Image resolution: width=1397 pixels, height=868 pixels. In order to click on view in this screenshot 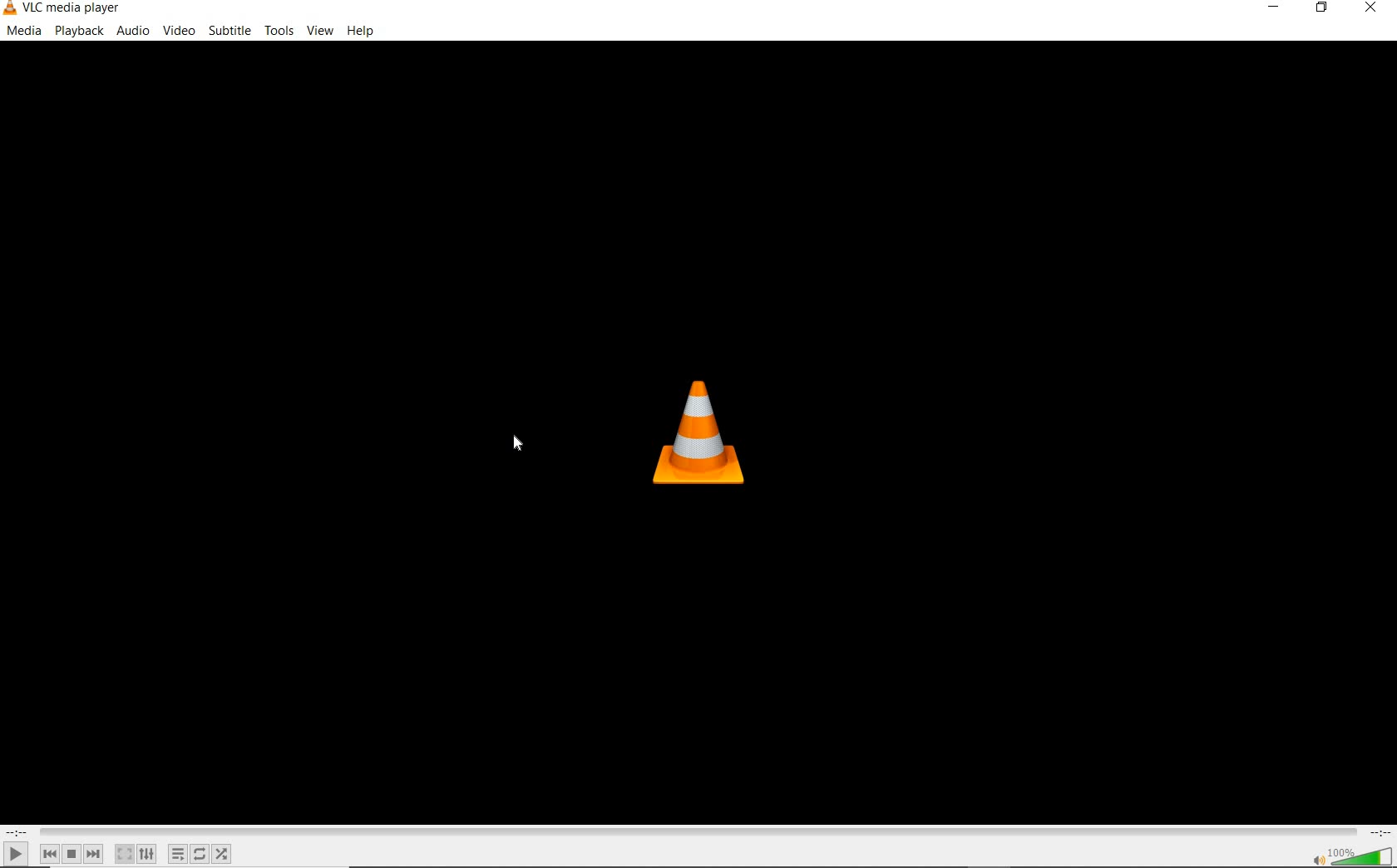, I will do `click(321, 31)`.